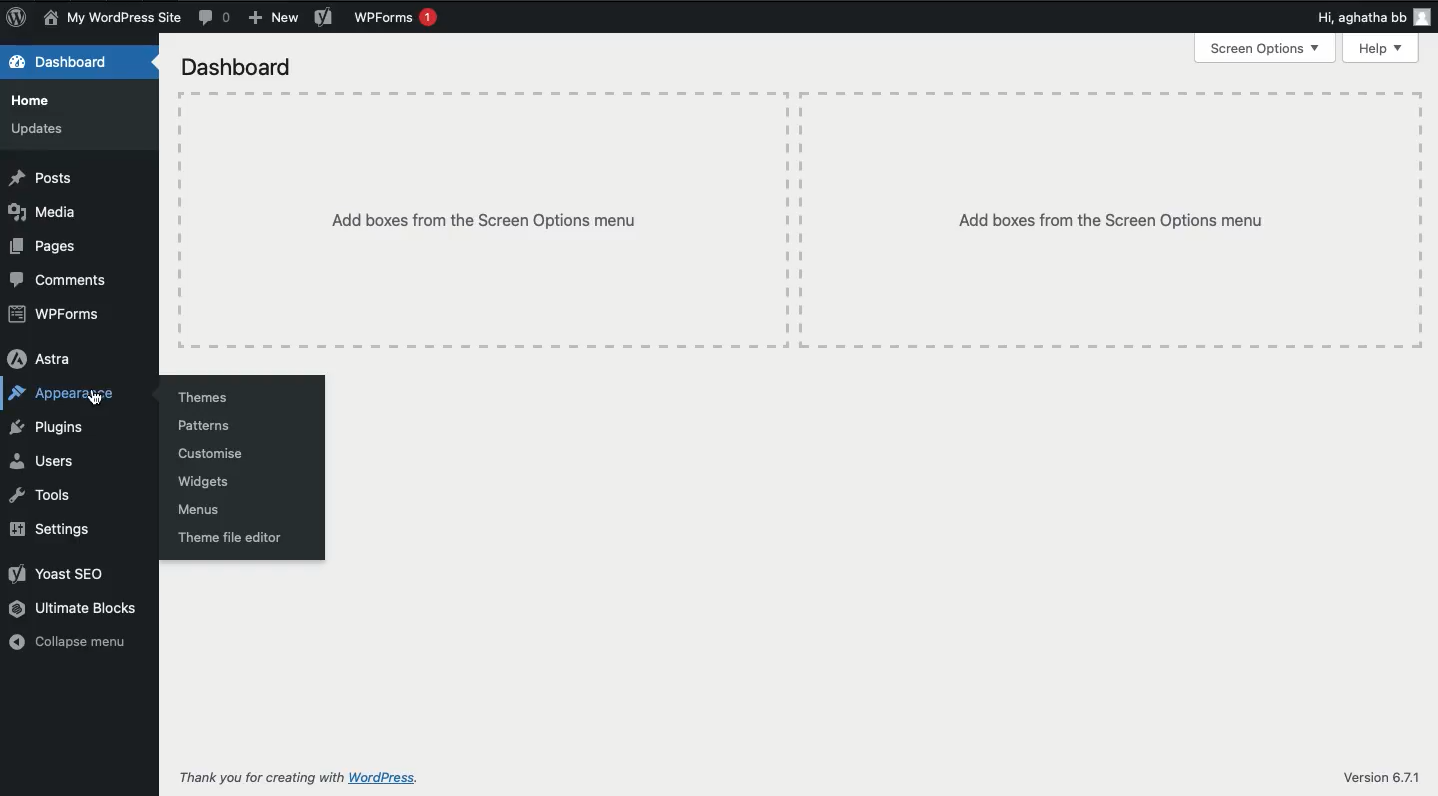  I want to click on cursor, so click(99, 401).